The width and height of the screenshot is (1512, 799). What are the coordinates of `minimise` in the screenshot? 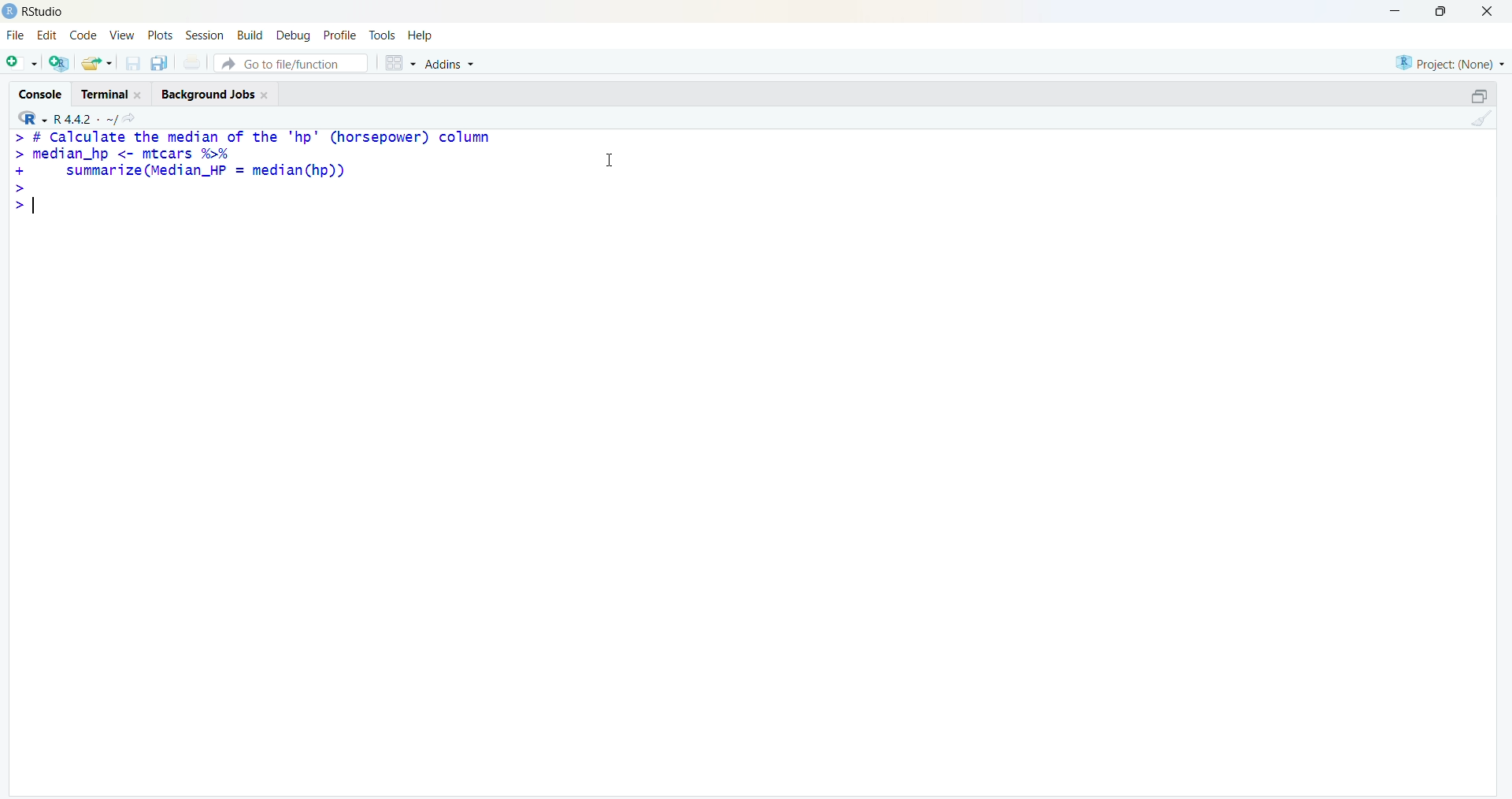 It's located at (1395, 10).